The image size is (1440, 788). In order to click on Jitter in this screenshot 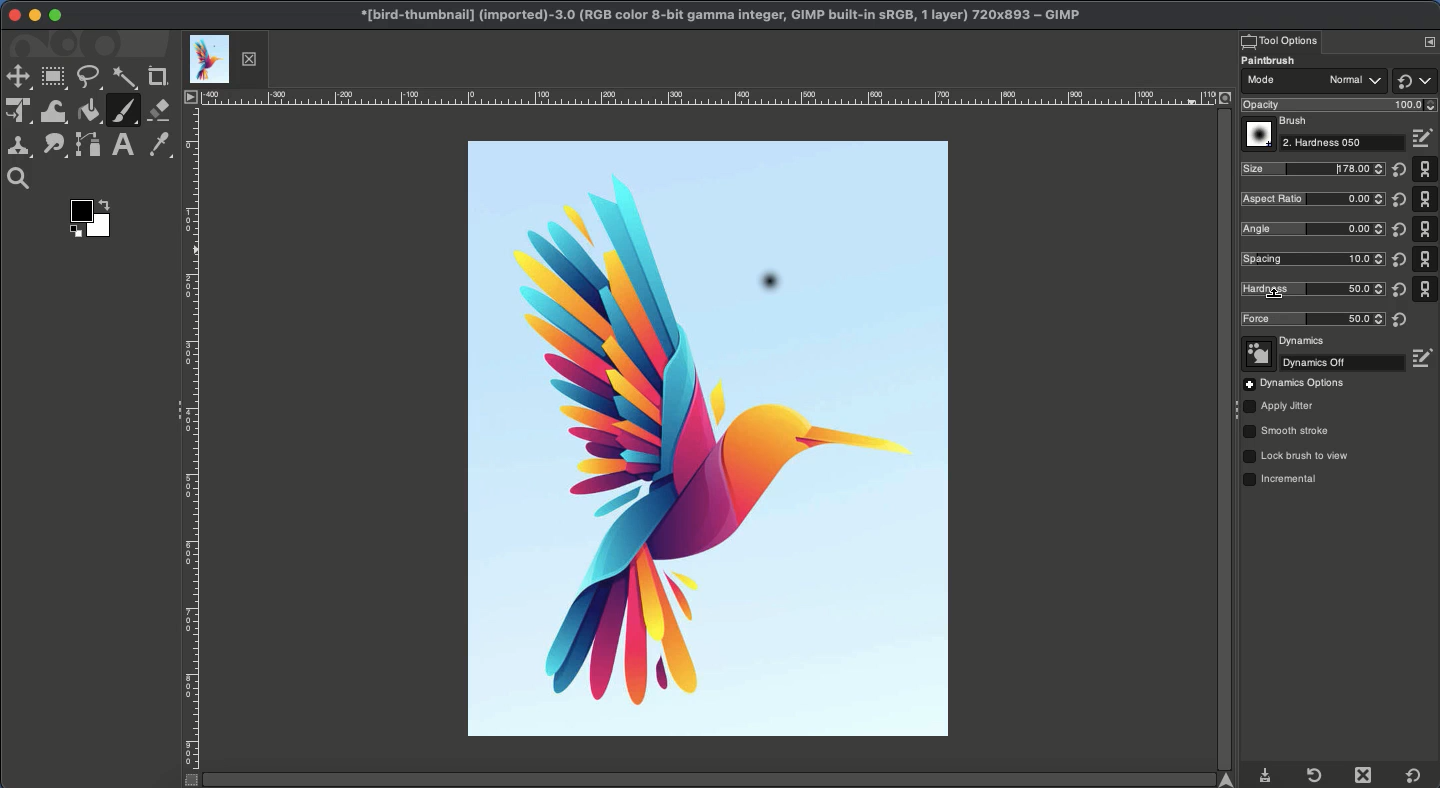, I will do `click(1279, 408)`.